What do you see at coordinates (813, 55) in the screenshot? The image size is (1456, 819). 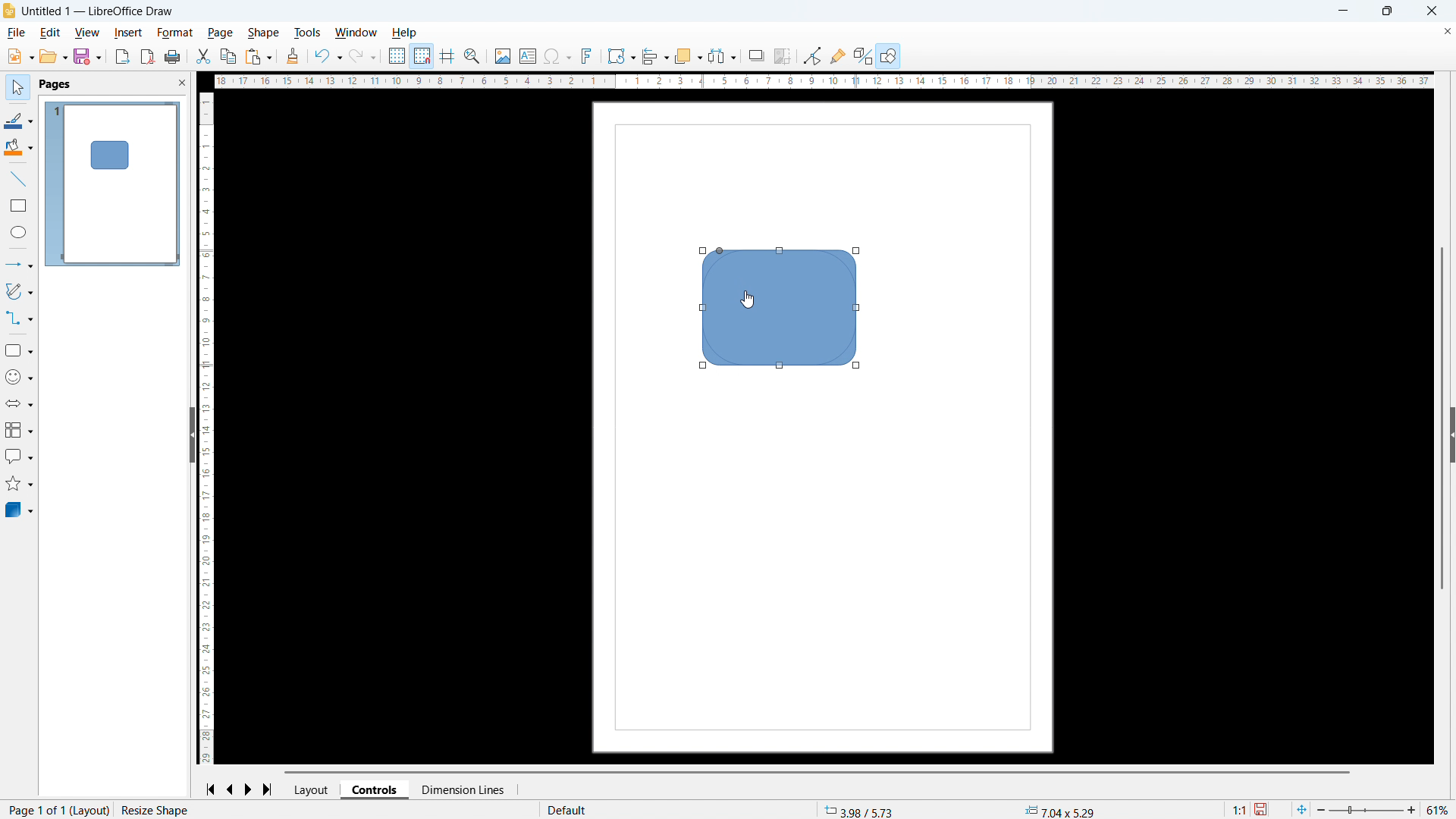 I see `toggle point edit mode` at bounding box center [813, 55].